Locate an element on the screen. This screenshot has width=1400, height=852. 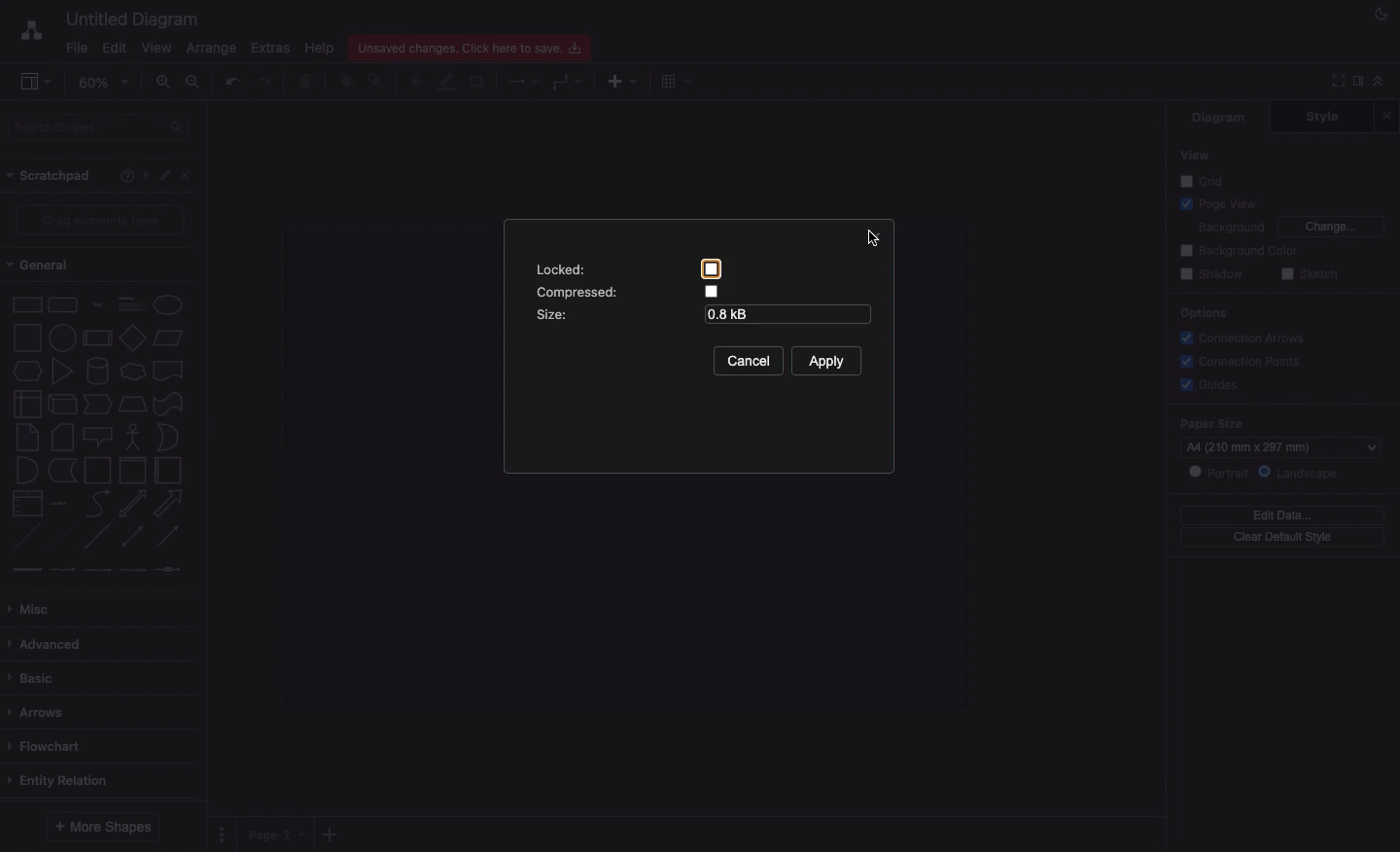
Shadow is located at coordinates (1211, 275).